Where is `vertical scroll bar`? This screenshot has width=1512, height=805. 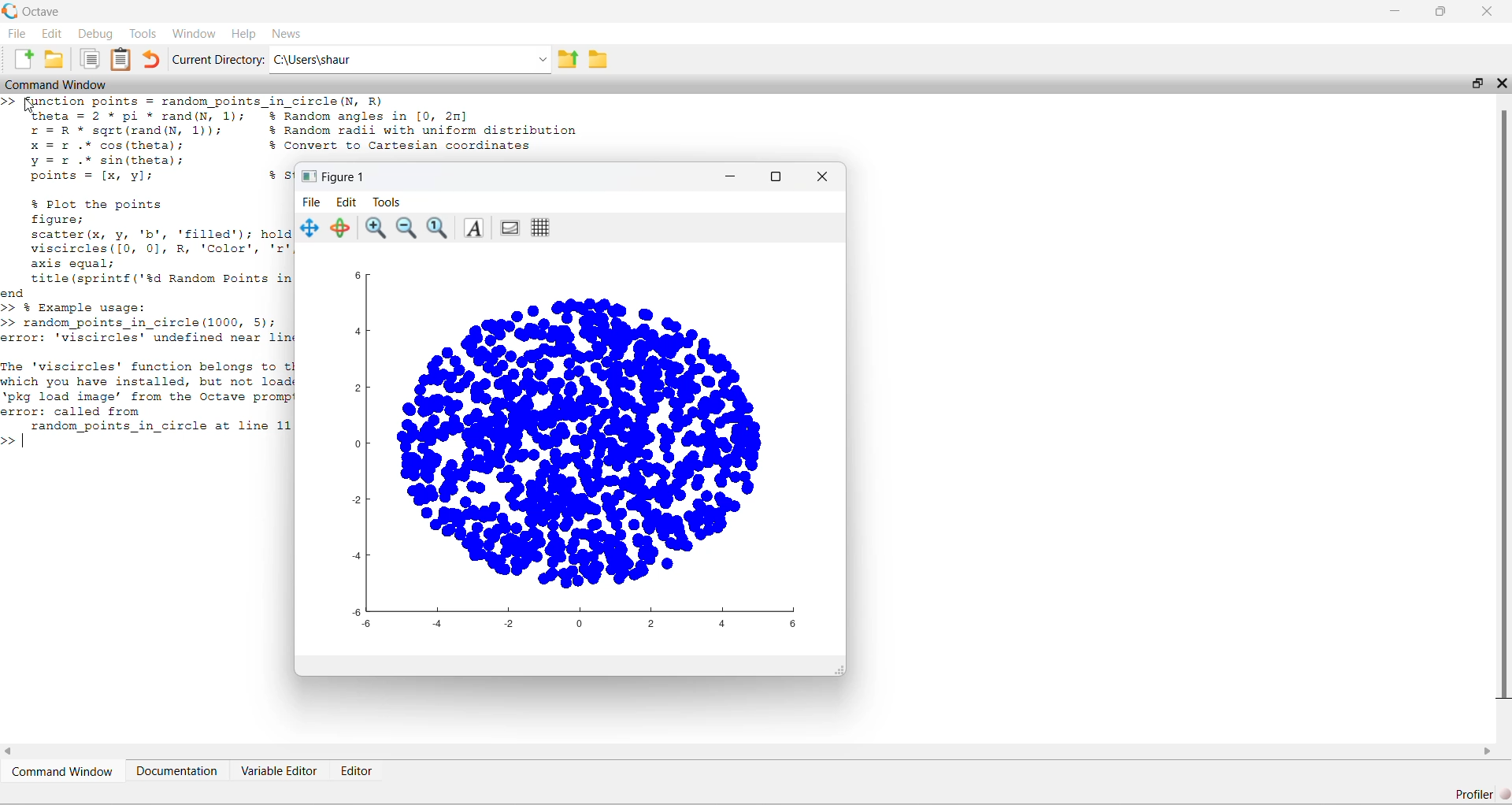 vertical scroll bar is located at coordinates (1503, 413).